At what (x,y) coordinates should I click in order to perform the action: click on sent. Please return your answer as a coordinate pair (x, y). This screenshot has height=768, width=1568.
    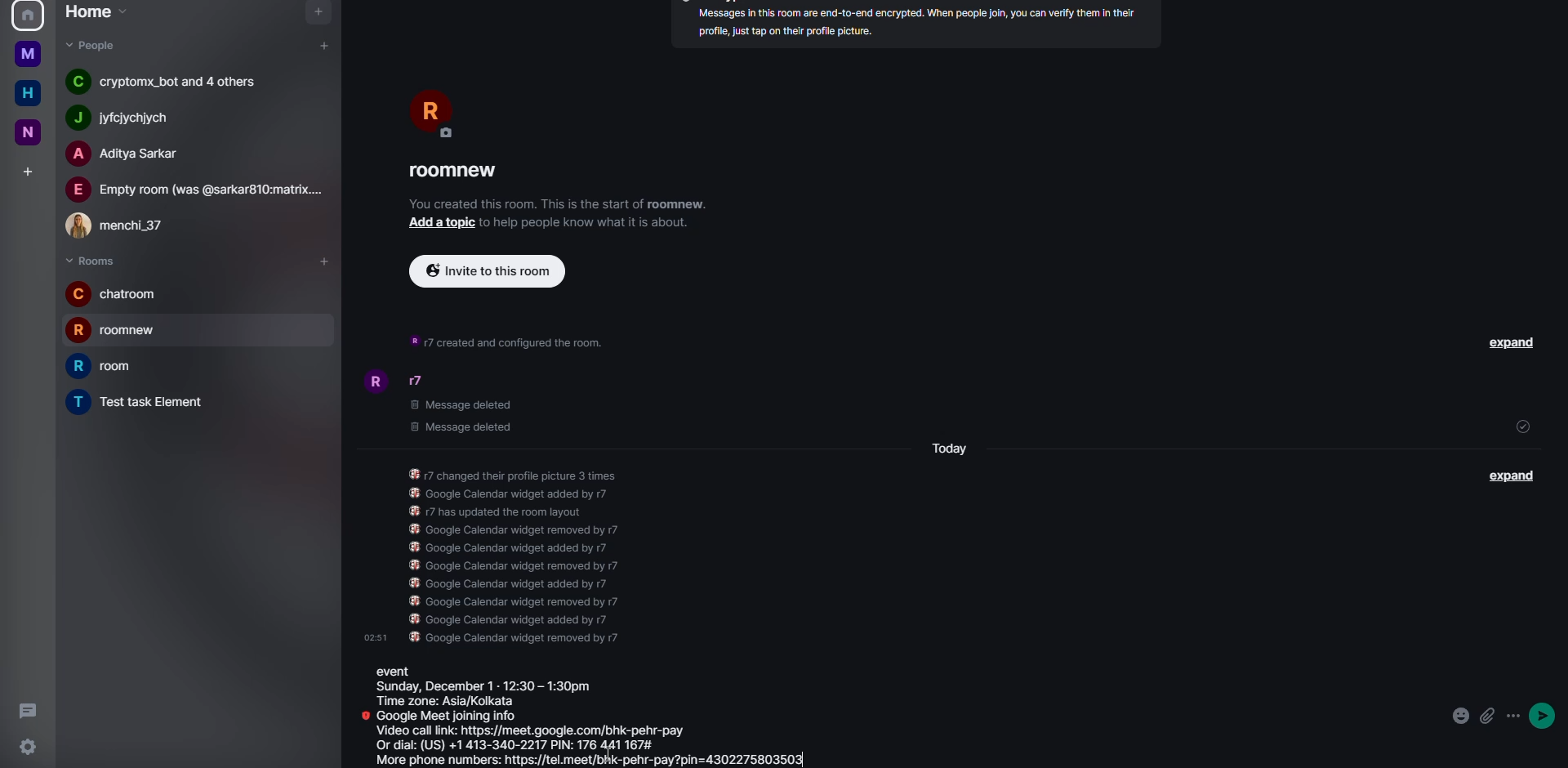
    Looking at the image, I should click on (1521, 426).